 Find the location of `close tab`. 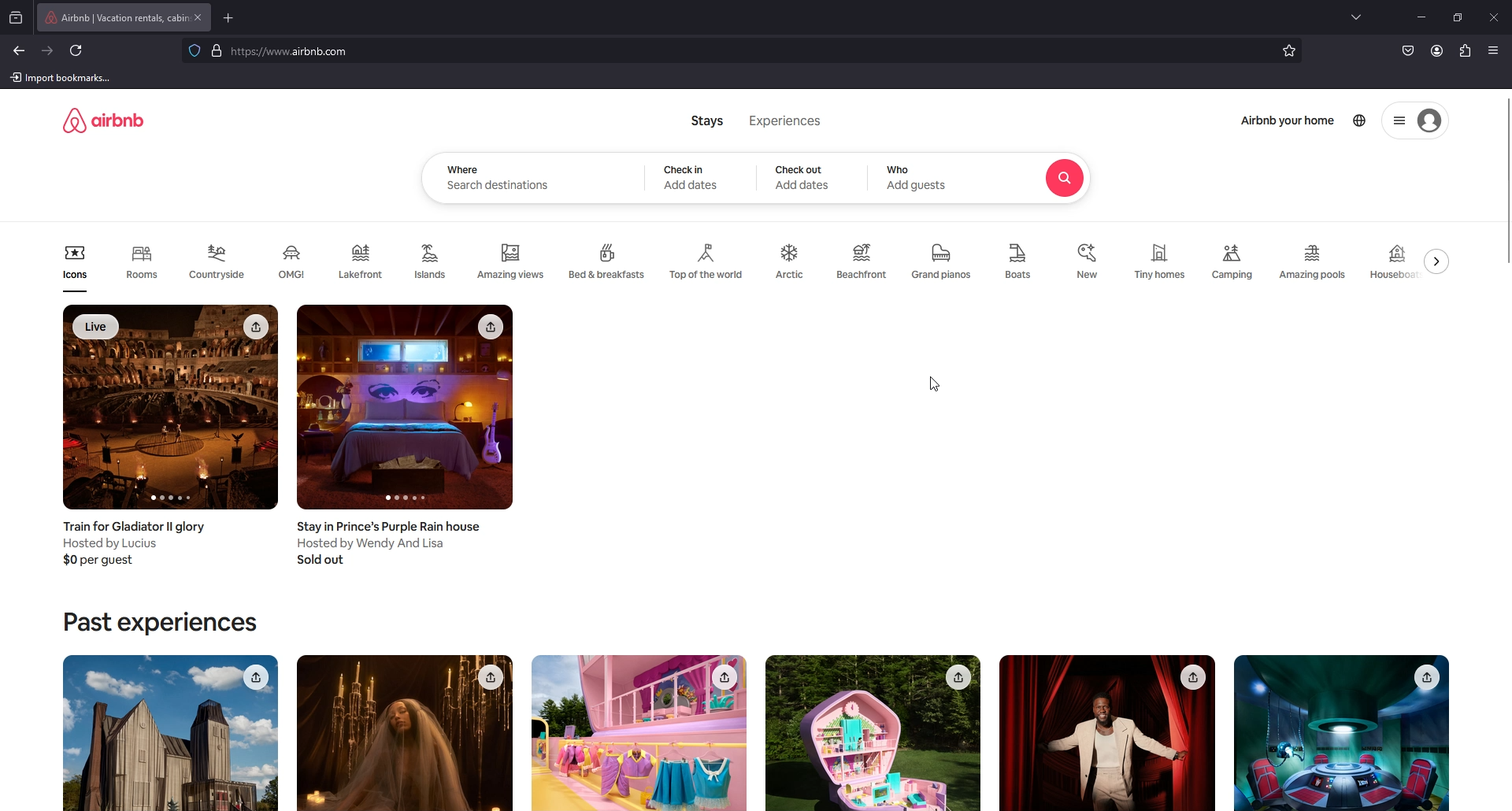

close tab is located at coordinates (198, 17).